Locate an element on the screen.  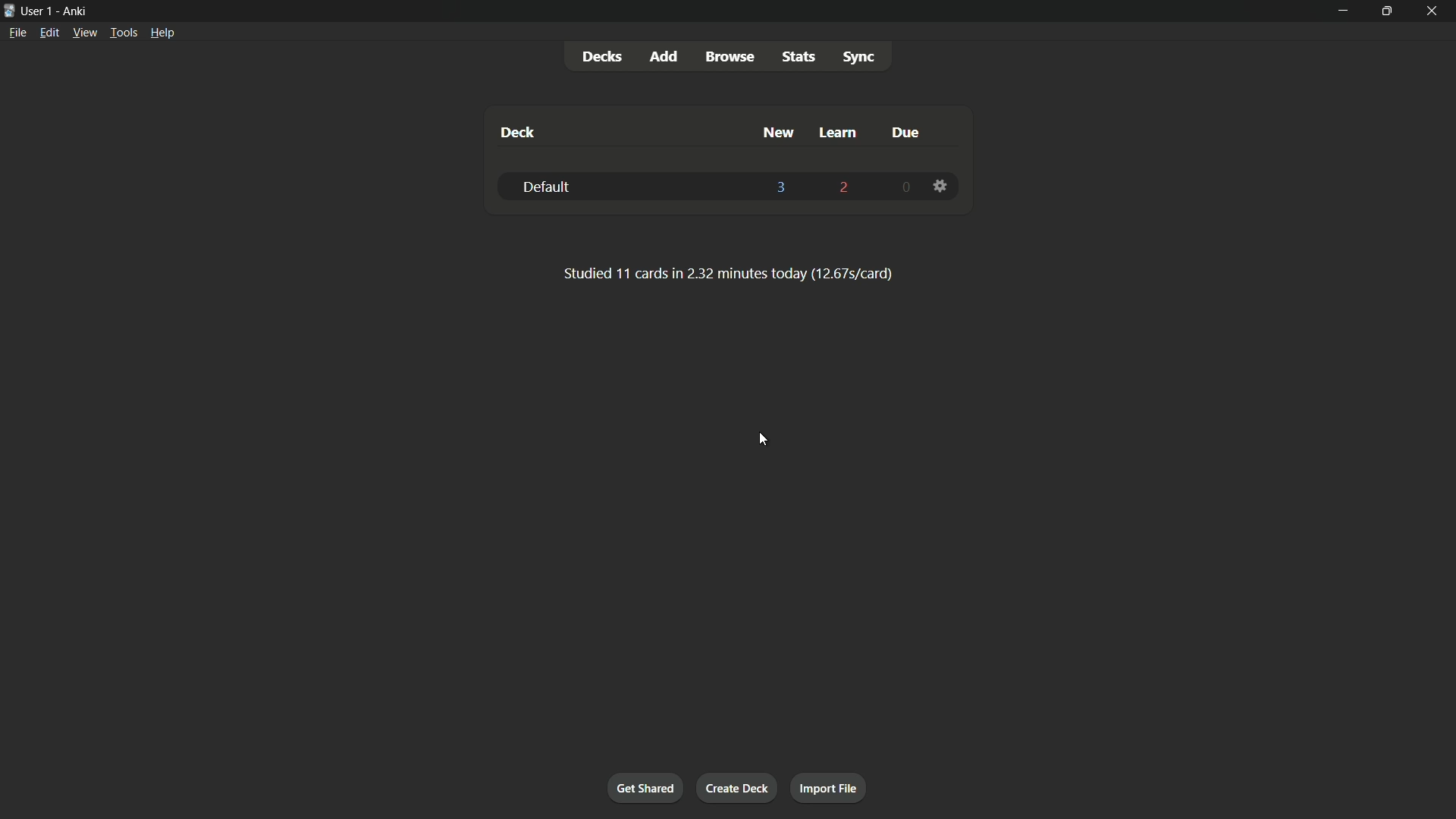
edit menu is located at coordinates (49, 33).